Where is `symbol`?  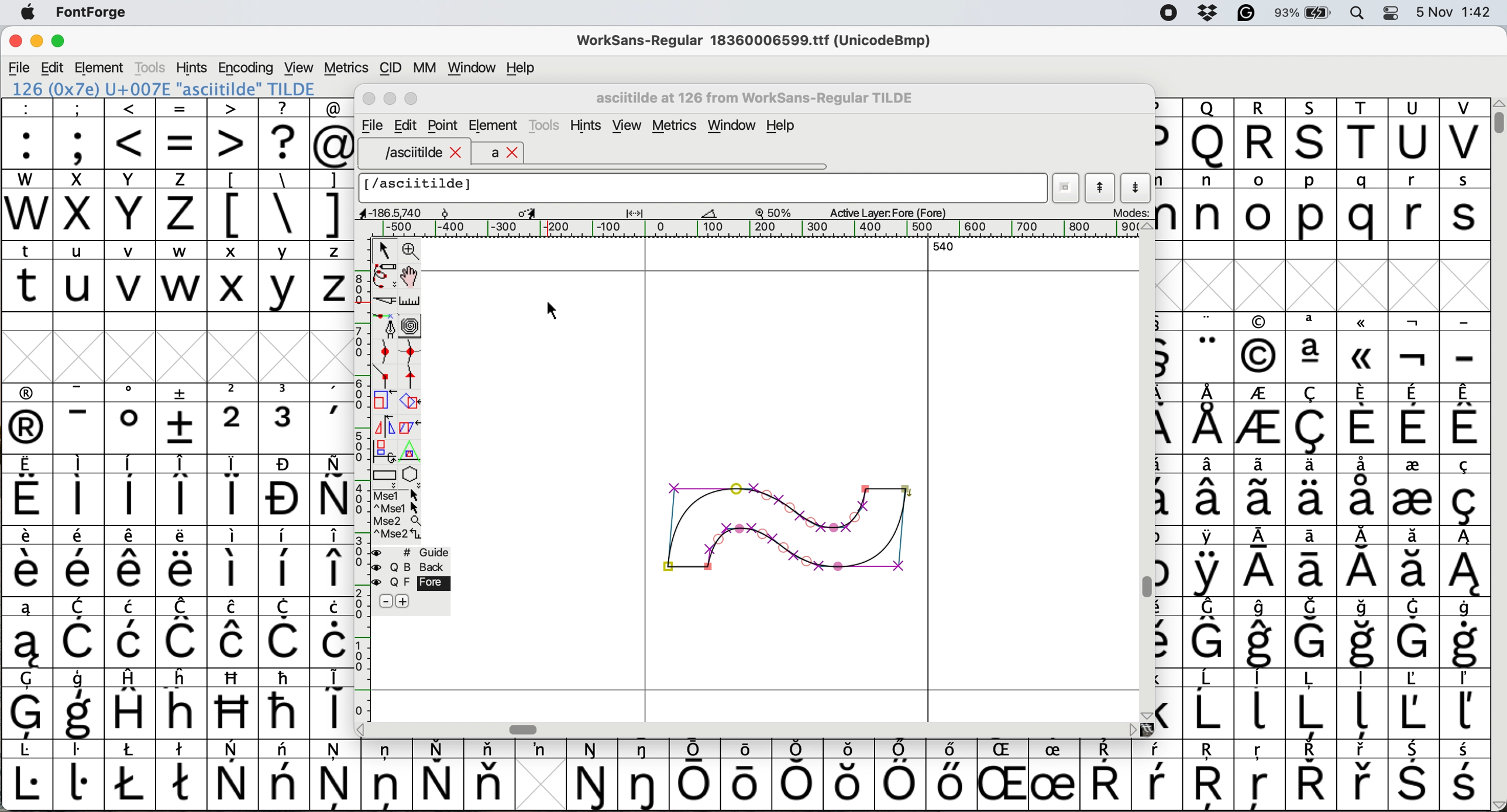 symbol is located at coordinates (284, 703).